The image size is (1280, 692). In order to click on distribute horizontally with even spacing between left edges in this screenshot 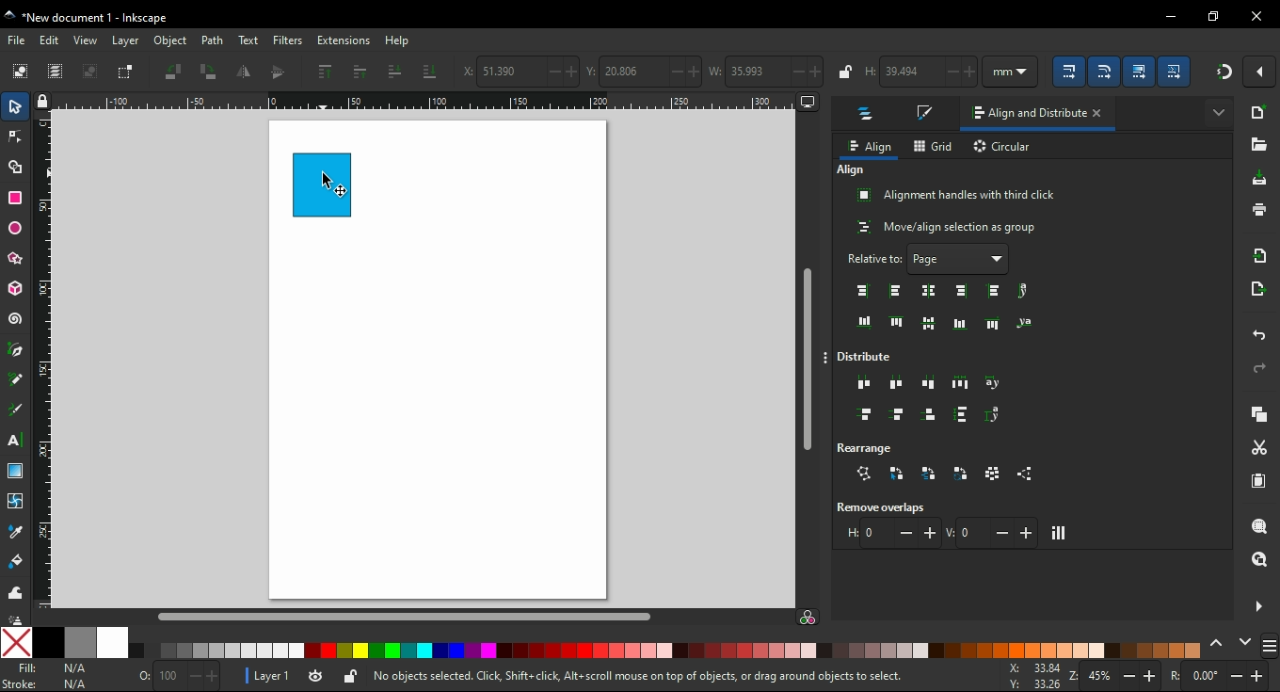, I will do `click(865, 385)`.